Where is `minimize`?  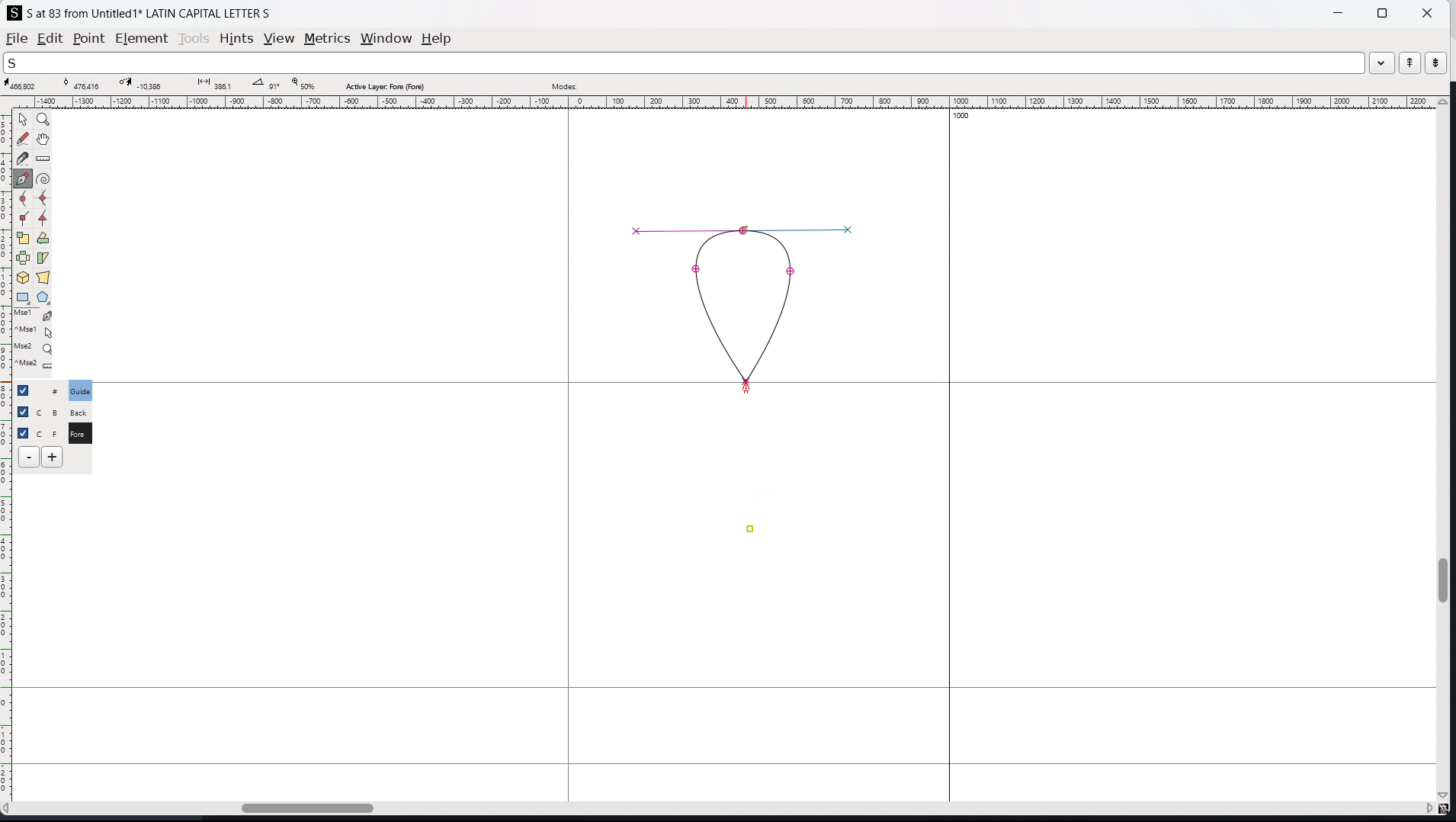
minimize is located at coordinates (1340, 11).